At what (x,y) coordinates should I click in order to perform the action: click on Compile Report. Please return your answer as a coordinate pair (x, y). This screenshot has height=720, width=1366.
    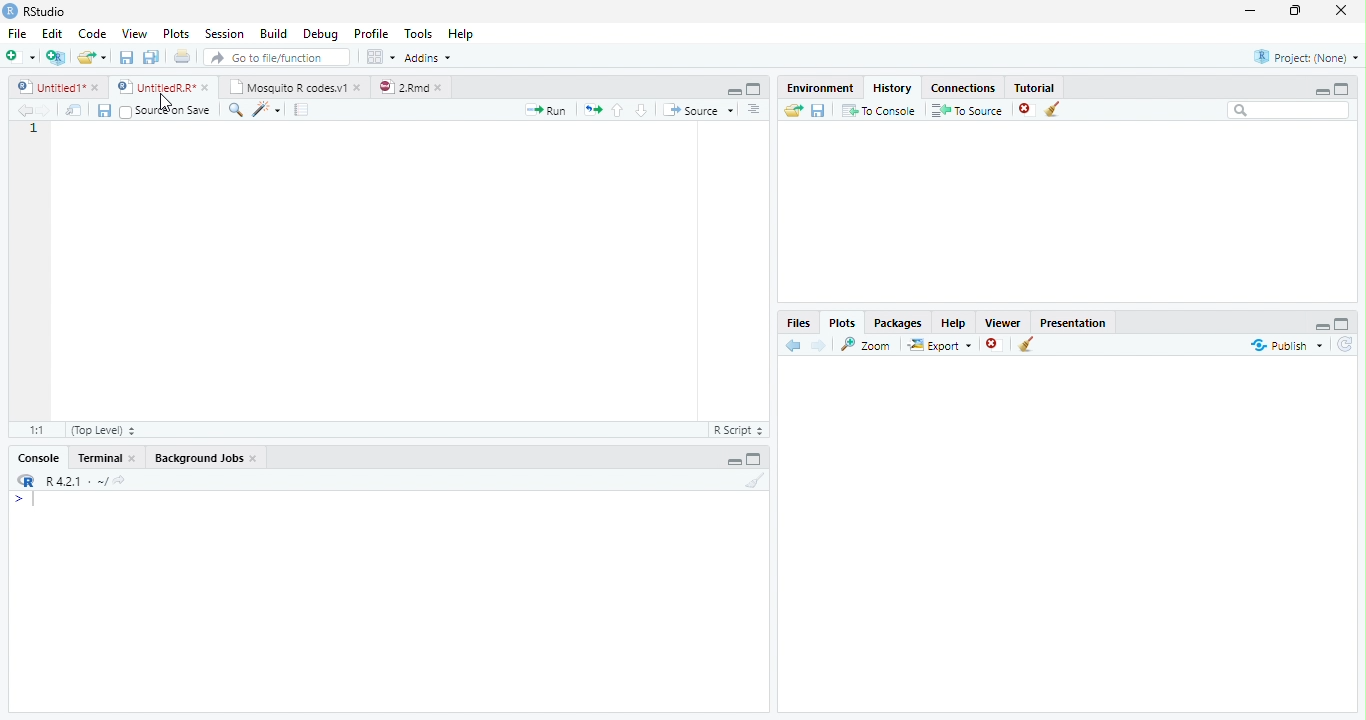
    Looking at the image, I should click on (303, 109).